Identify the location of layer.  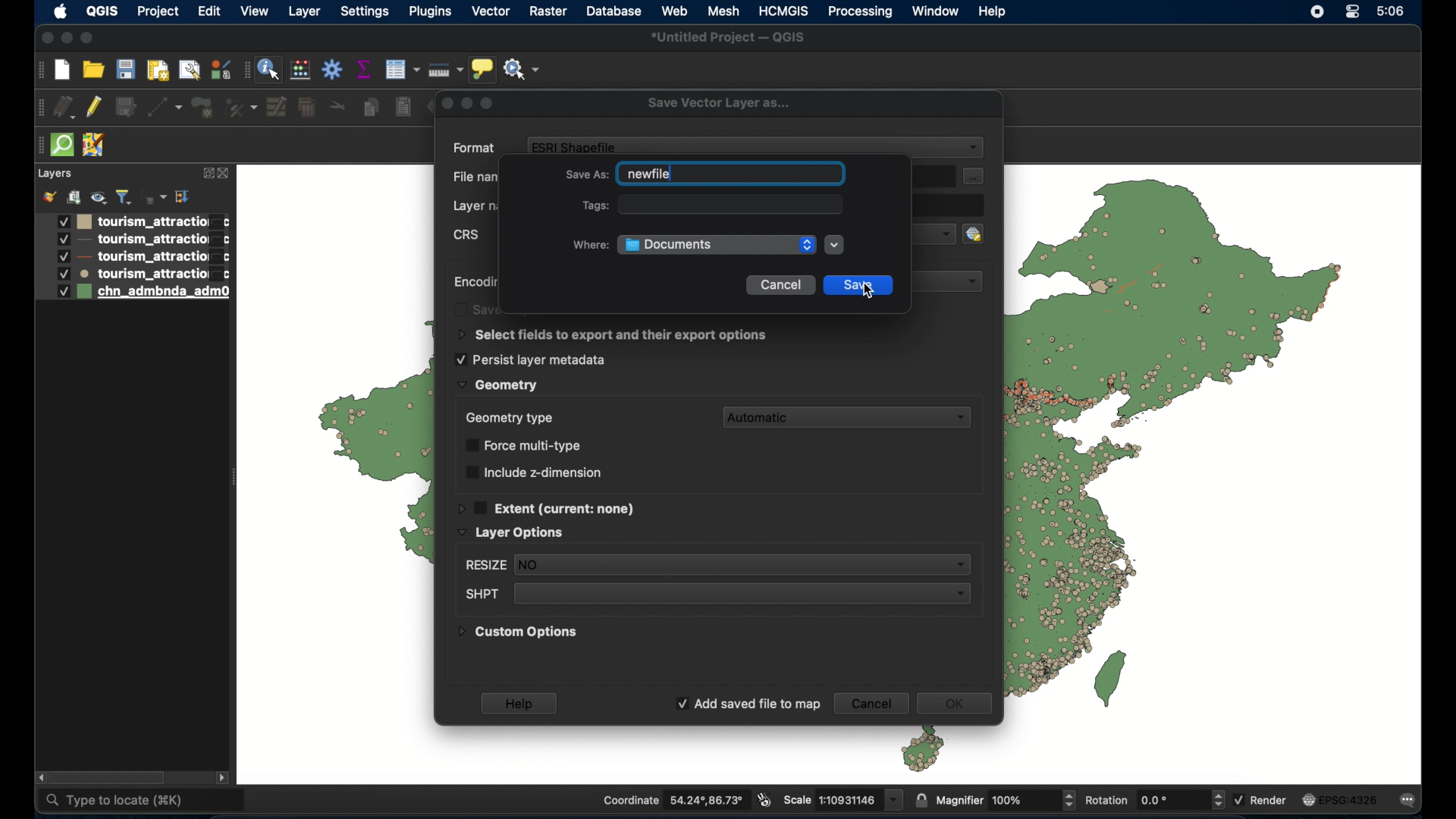
(304, 14).